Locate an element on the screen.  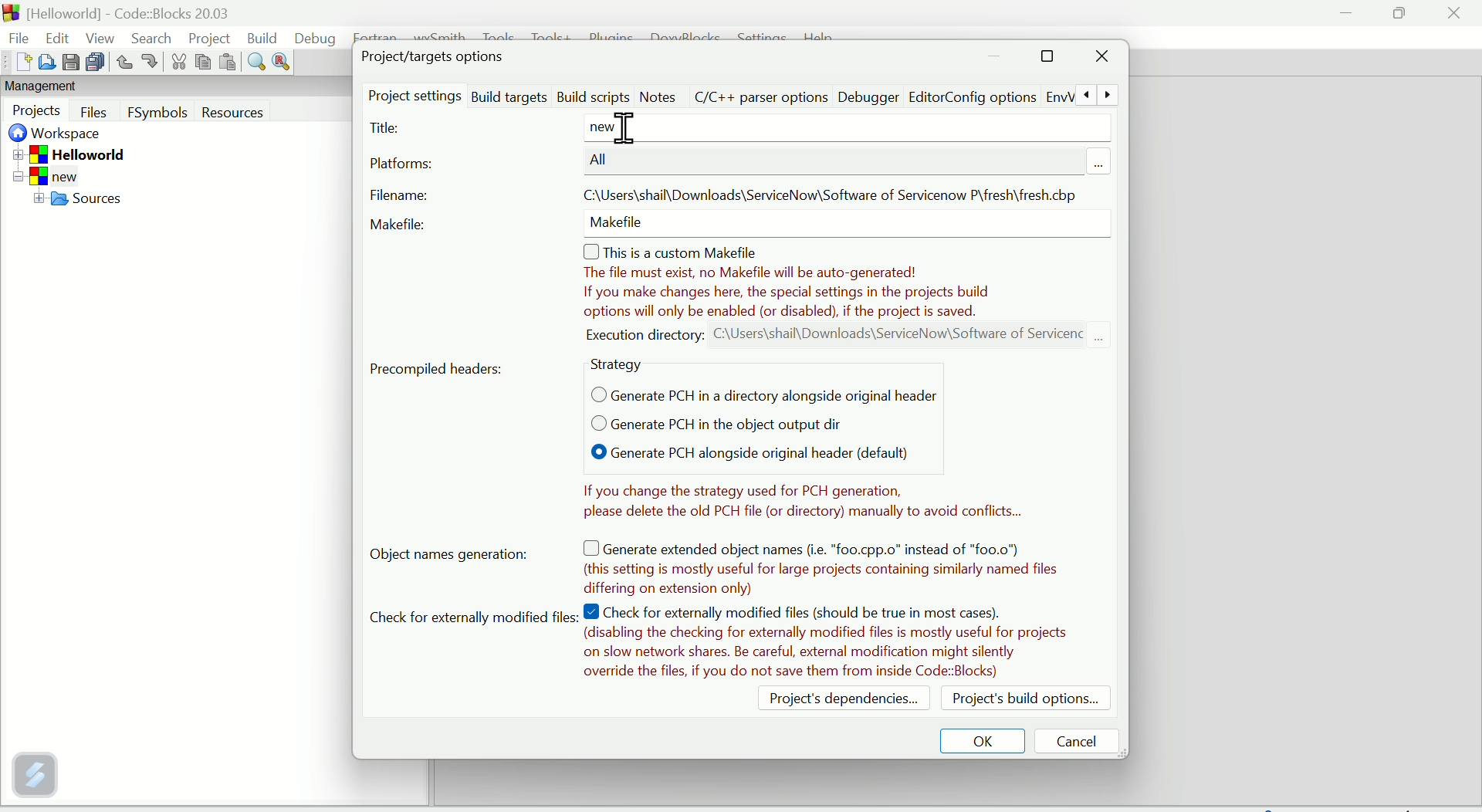
Note is located at coordinates (825, 563).